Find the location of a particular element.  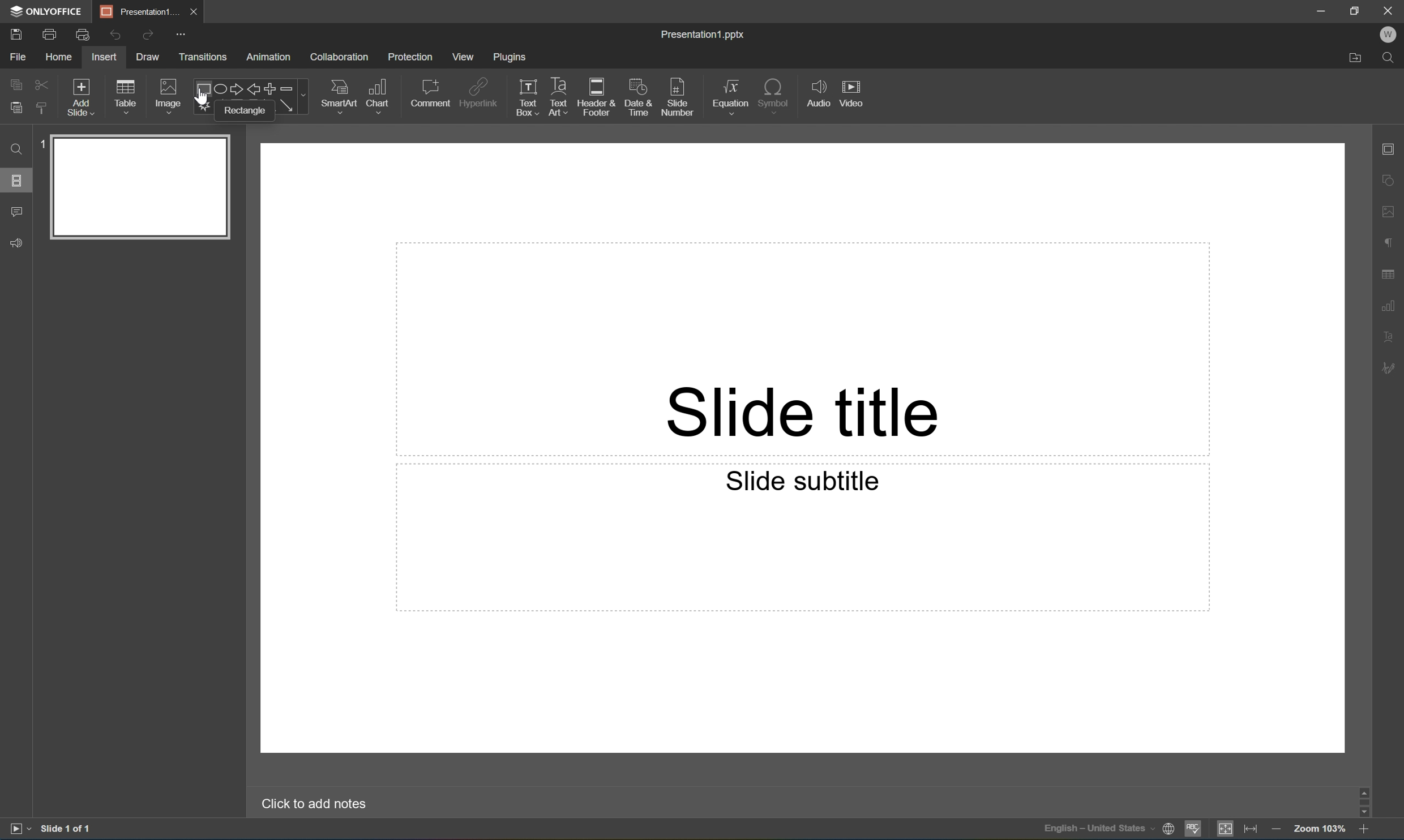

Text Art settings  is located at coordinates (1392, 335).